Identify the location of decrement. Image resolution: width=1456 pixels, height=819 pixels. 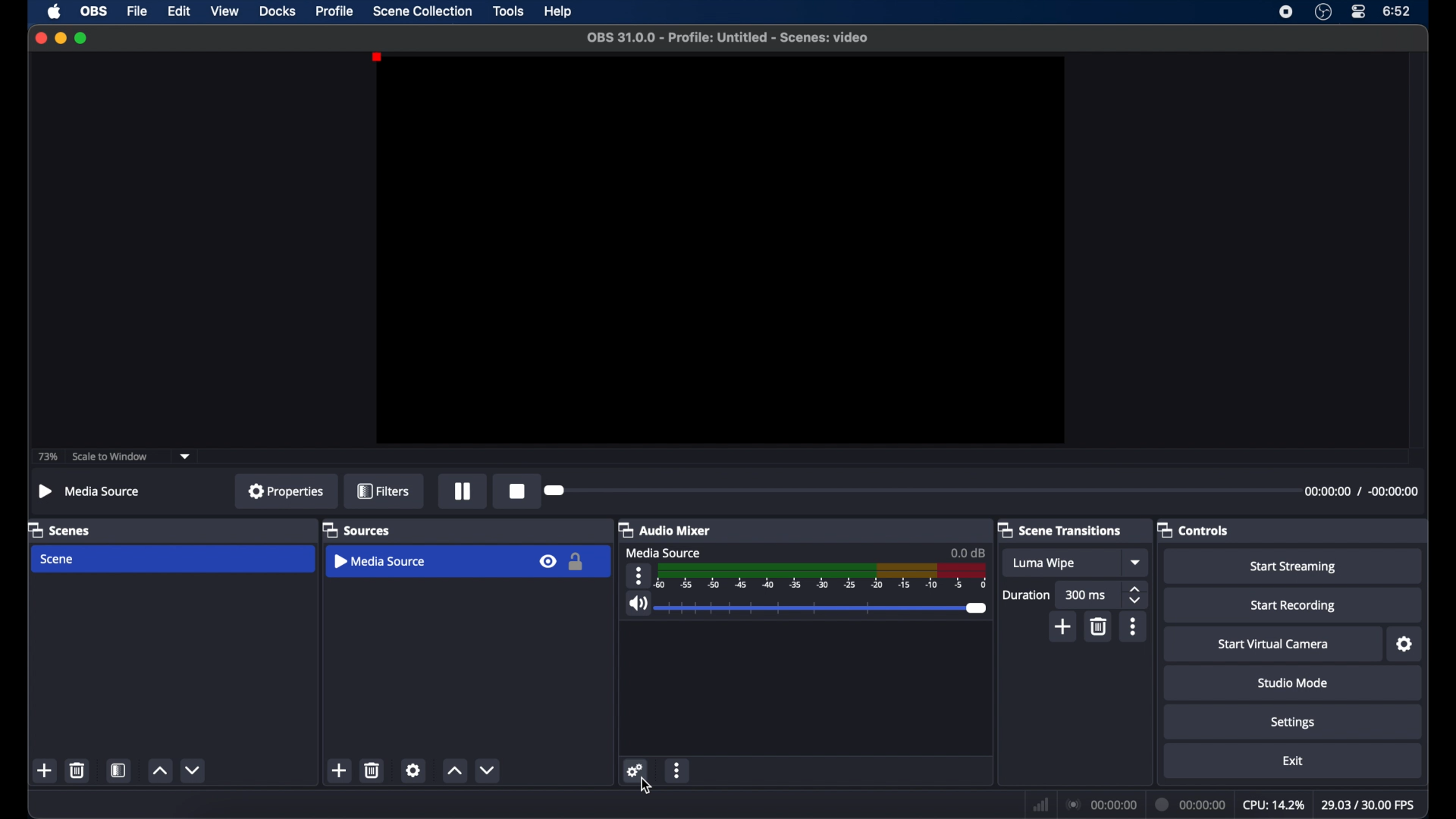
(488, 770).